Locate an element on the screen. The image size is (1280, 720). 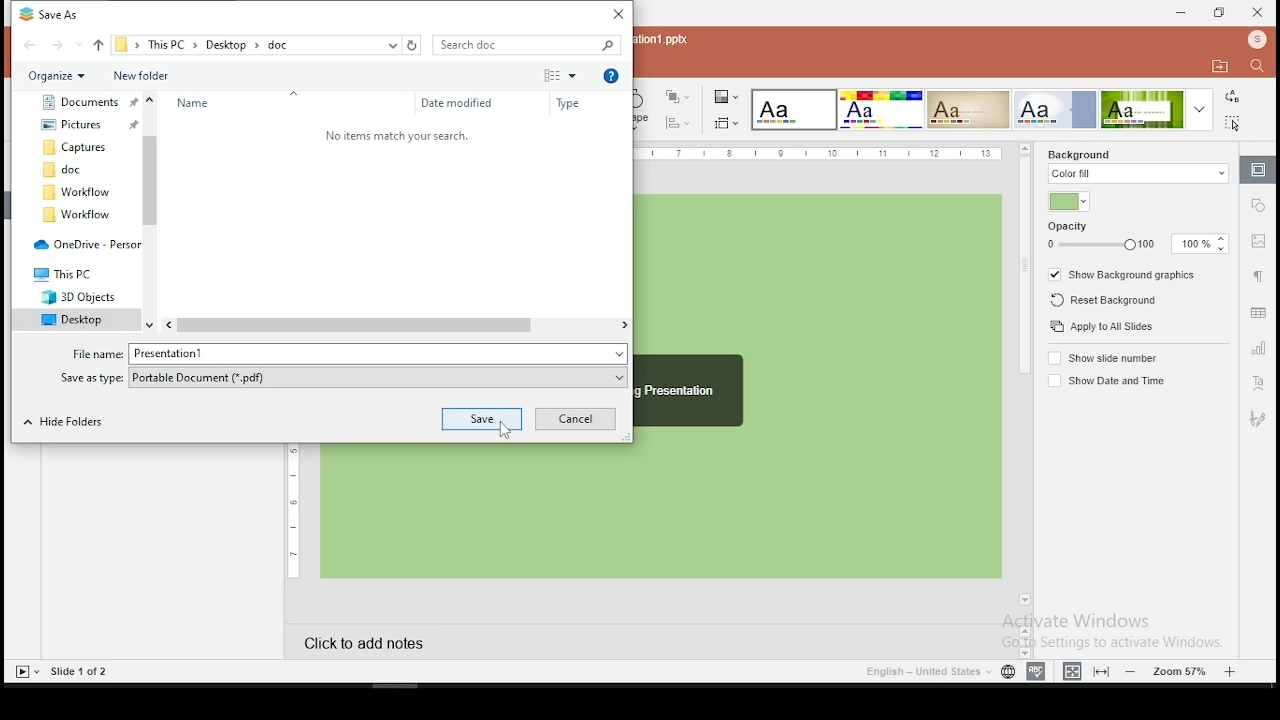
Desktop is located at coordinates (75, 320).